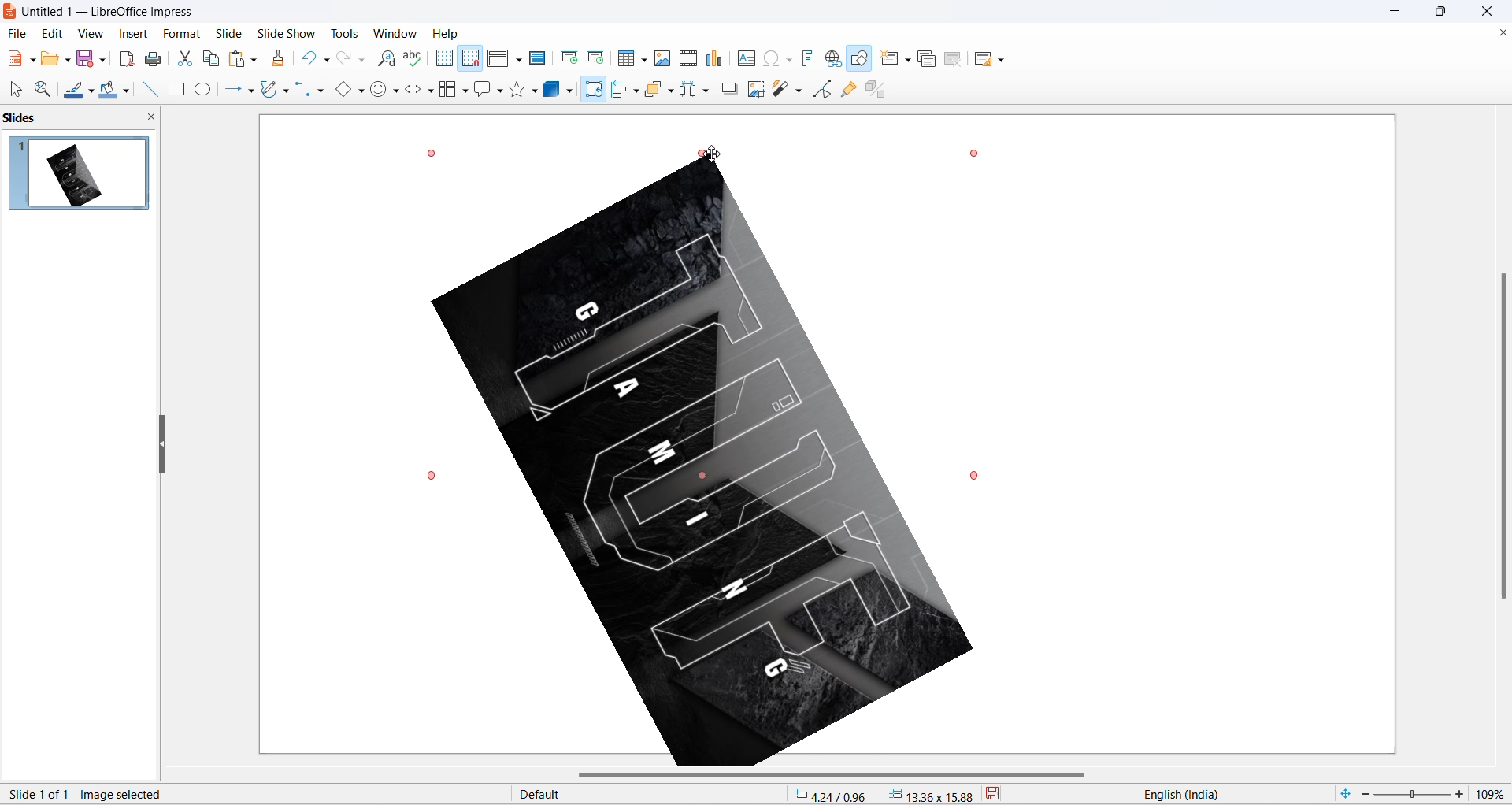 This screenshot has height=805, width=1512. Describe the element at coordinates (730, 88) in the screenshot. I see `shadow` at that location.